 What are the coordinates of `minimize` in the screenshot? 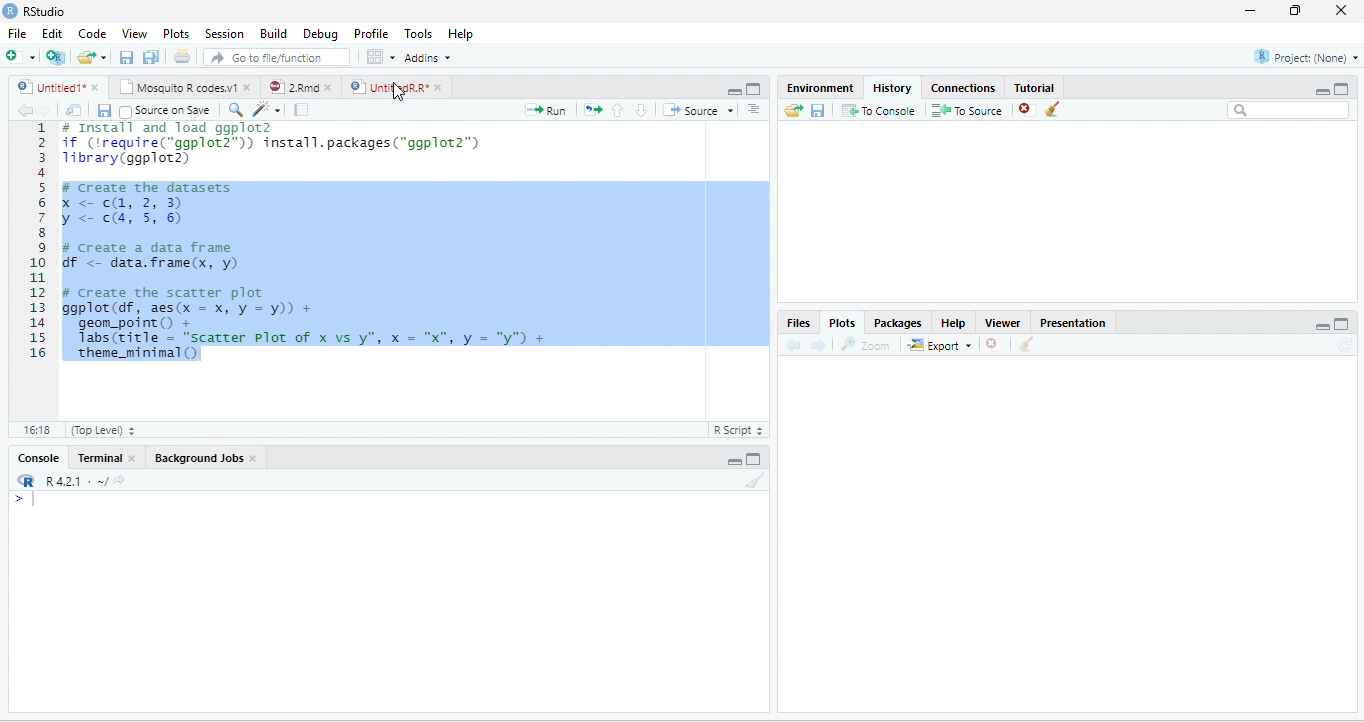 It's located at (1251, 11).